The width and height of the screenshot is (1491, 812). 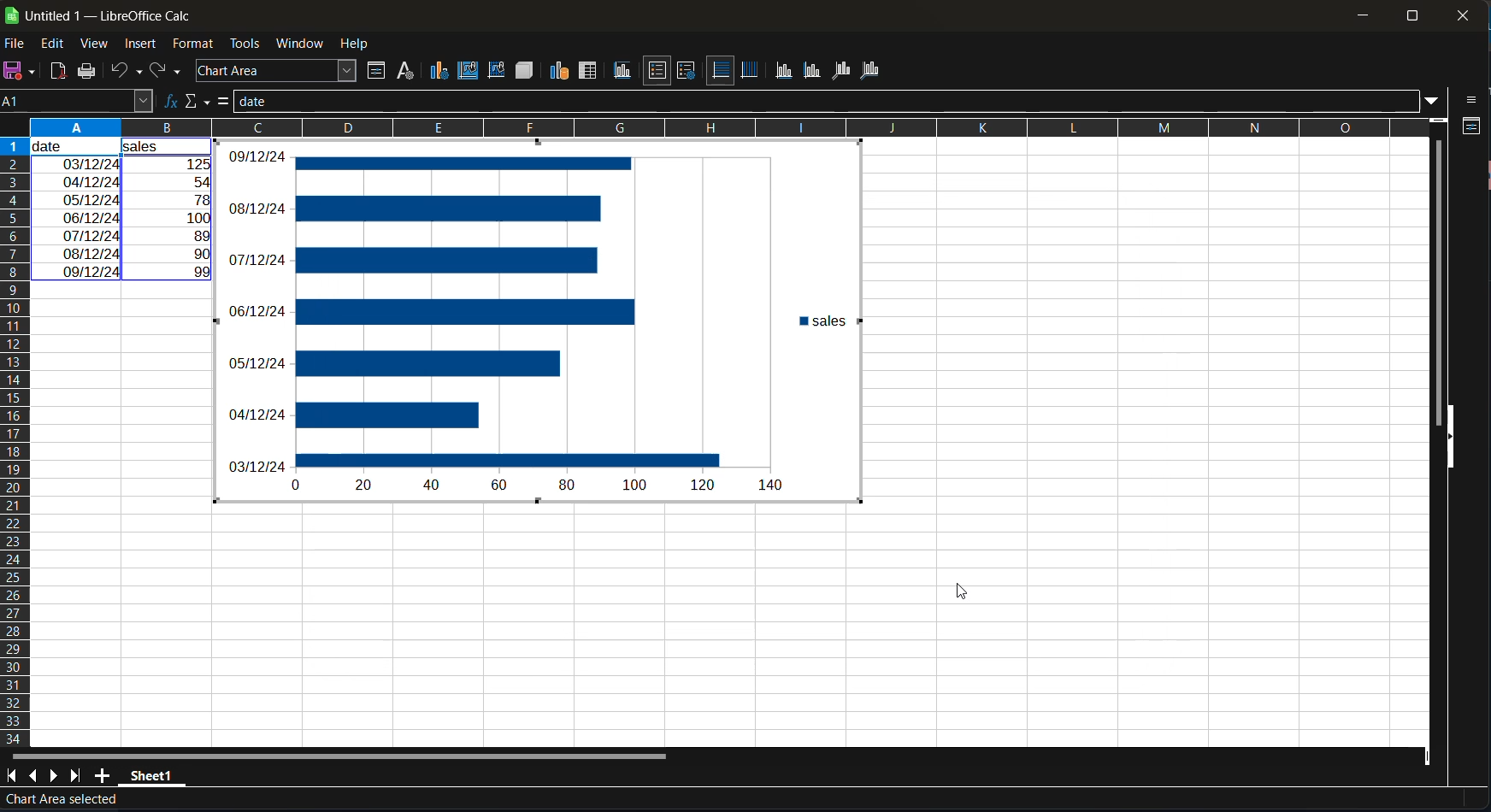 I want to click on side bar settings, so click(x=1473, y=100).